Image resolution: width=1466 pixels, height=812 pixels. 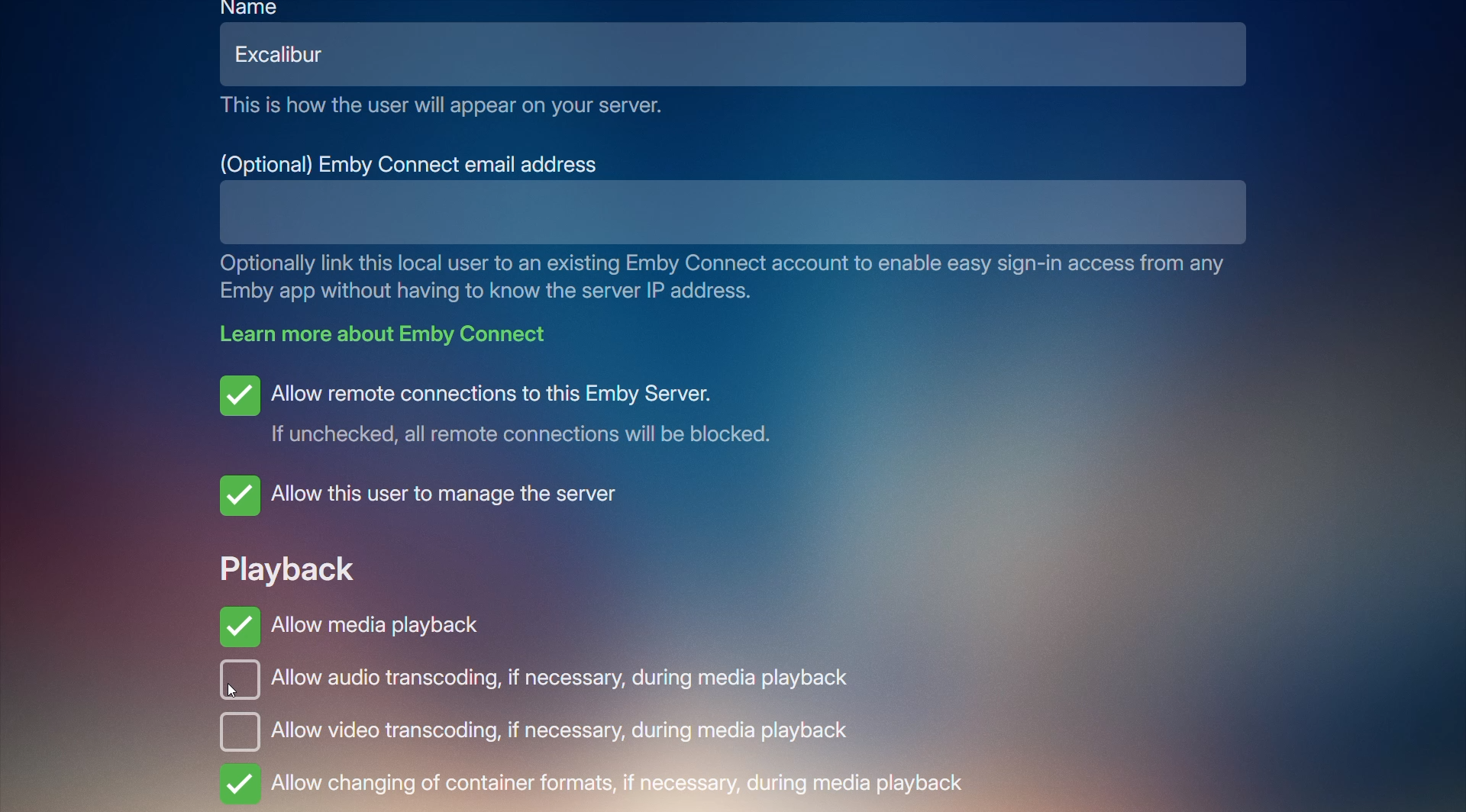 What do you see at coordinates (287, 565) in the screenshot?
I see `Playback` at bounding box center [287, 565].